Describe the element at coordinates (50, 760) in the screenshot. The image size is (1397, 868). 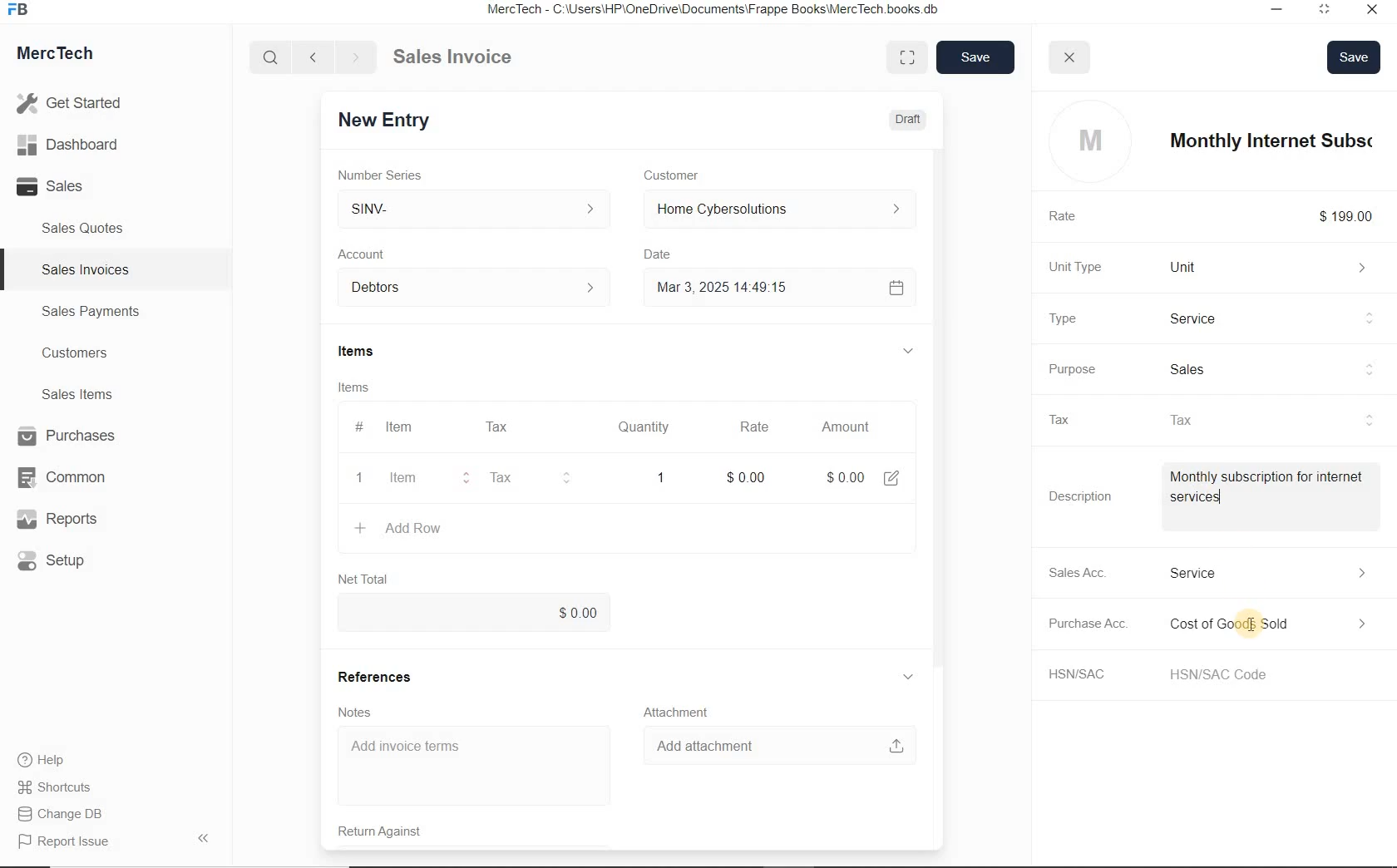
I see `Help` at that location.